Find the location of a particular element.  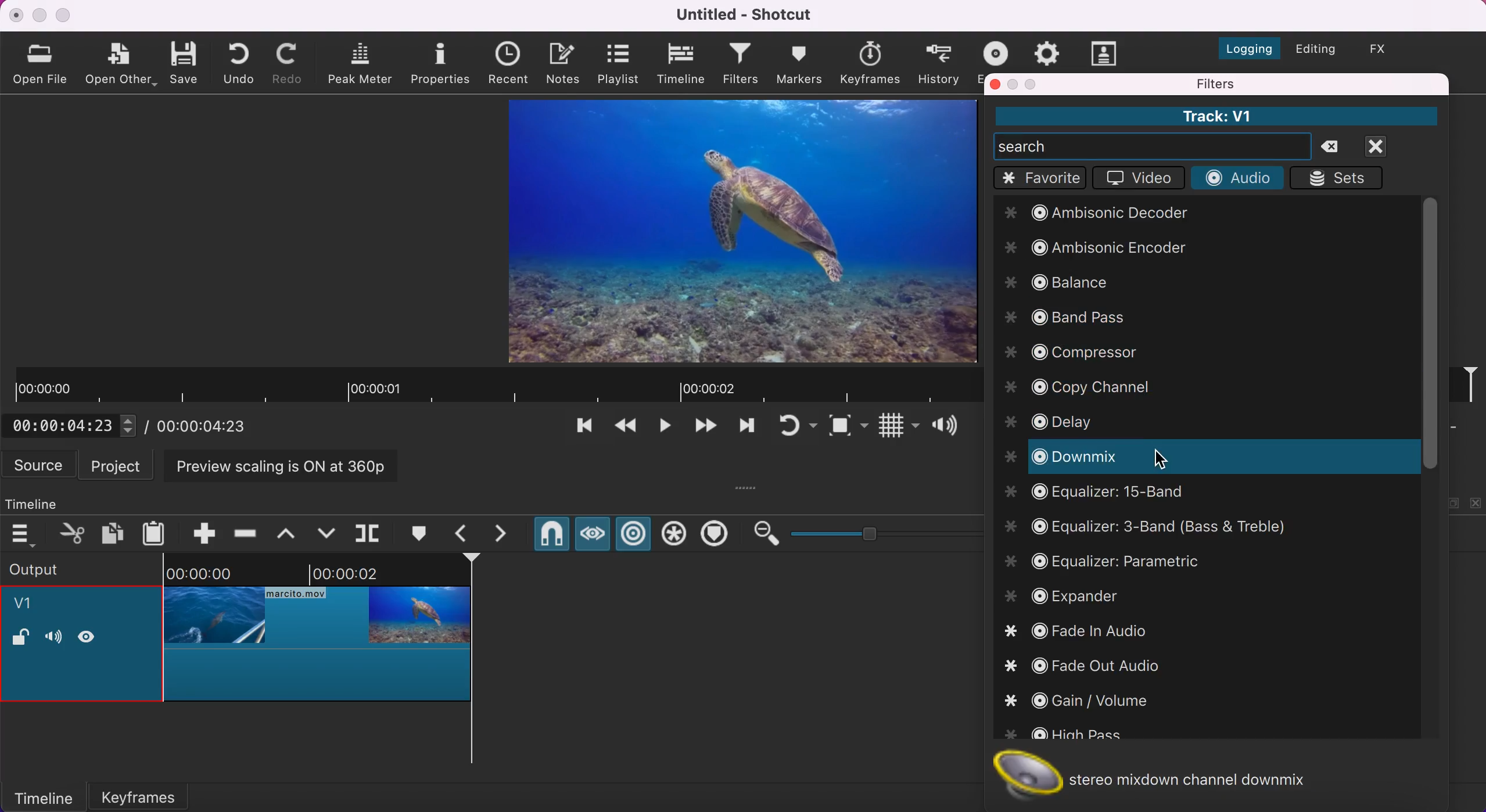

peak meter is located at coordinates (362, 64).